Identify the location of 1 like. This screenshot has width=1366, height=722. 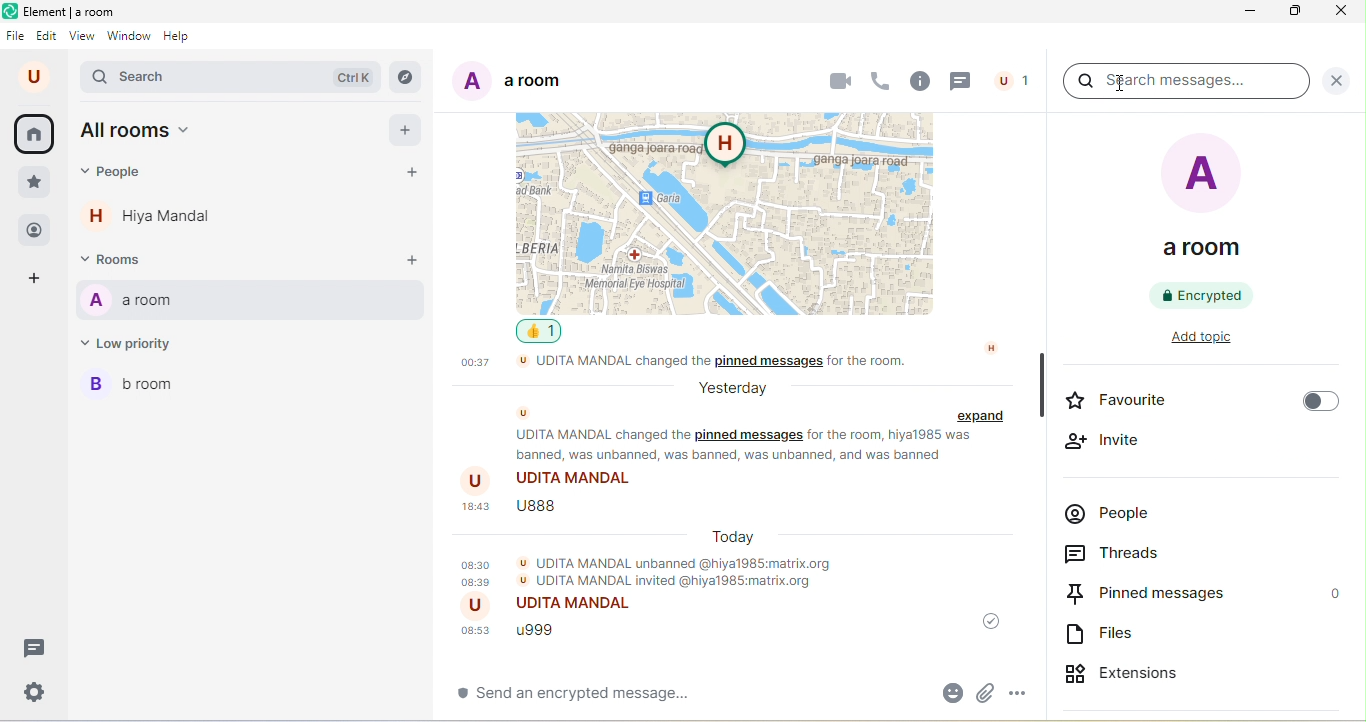
(544, 332).